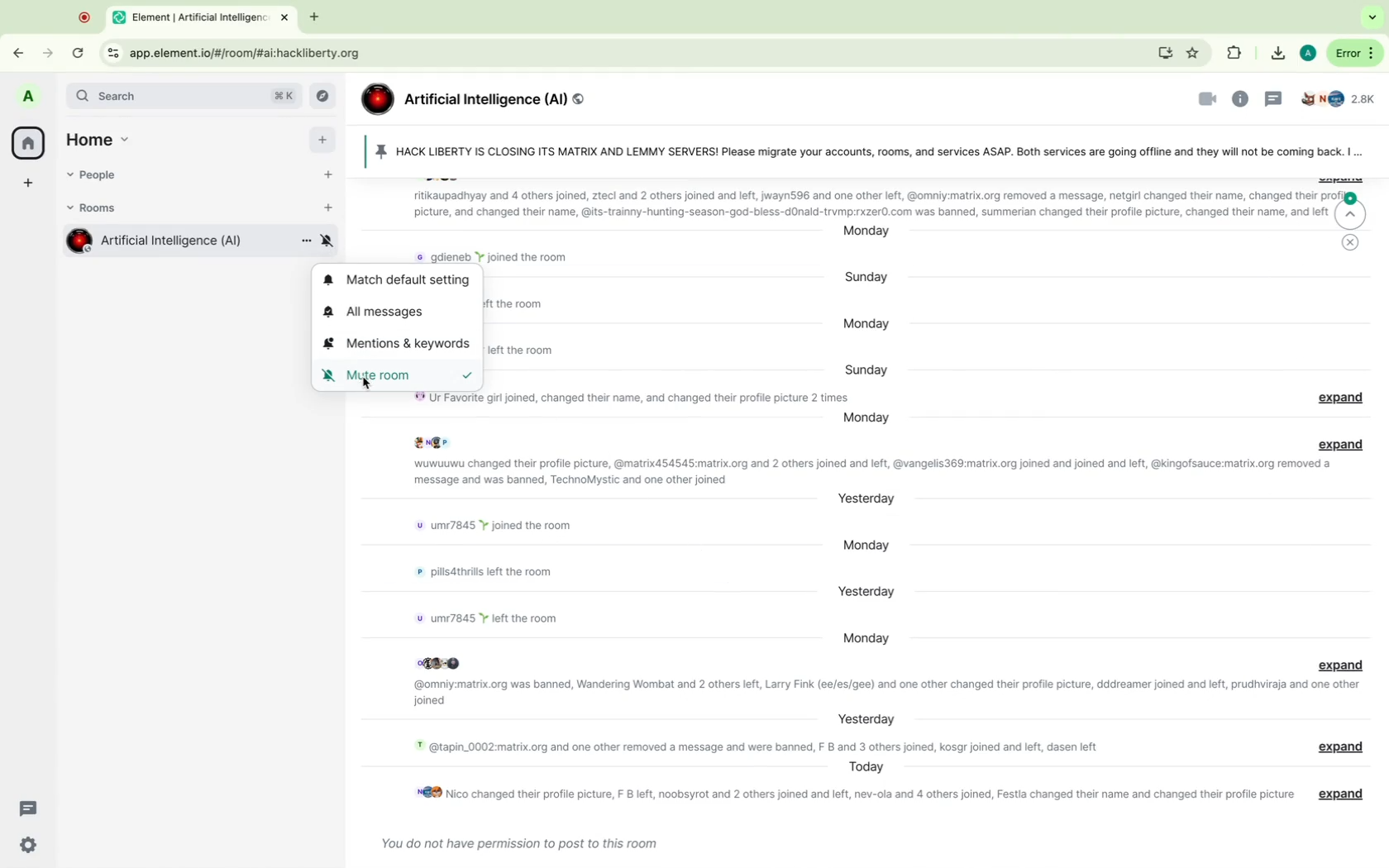 Image resolution: width=1389 pixels, height=868 pixels. What do you see at coordinates (317, 18) in the screenshot?
I see `new tab` at bounding box center [317, 18].